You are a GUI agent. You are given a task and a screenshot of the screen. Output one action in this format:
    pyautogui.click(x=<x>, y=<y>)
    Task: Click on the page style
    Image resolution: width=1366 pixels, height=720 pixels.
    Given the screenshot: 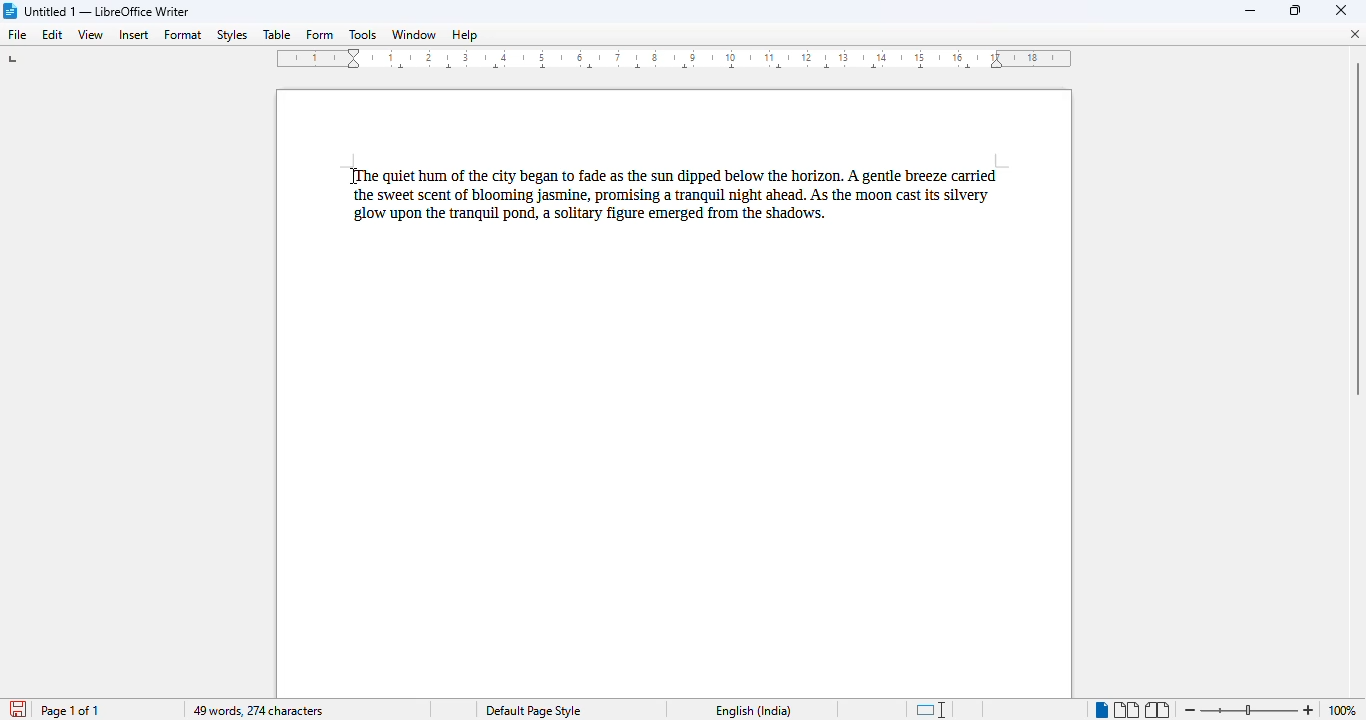 What is the action you would take?
    pyautogui.click(x=533, y=710)
    